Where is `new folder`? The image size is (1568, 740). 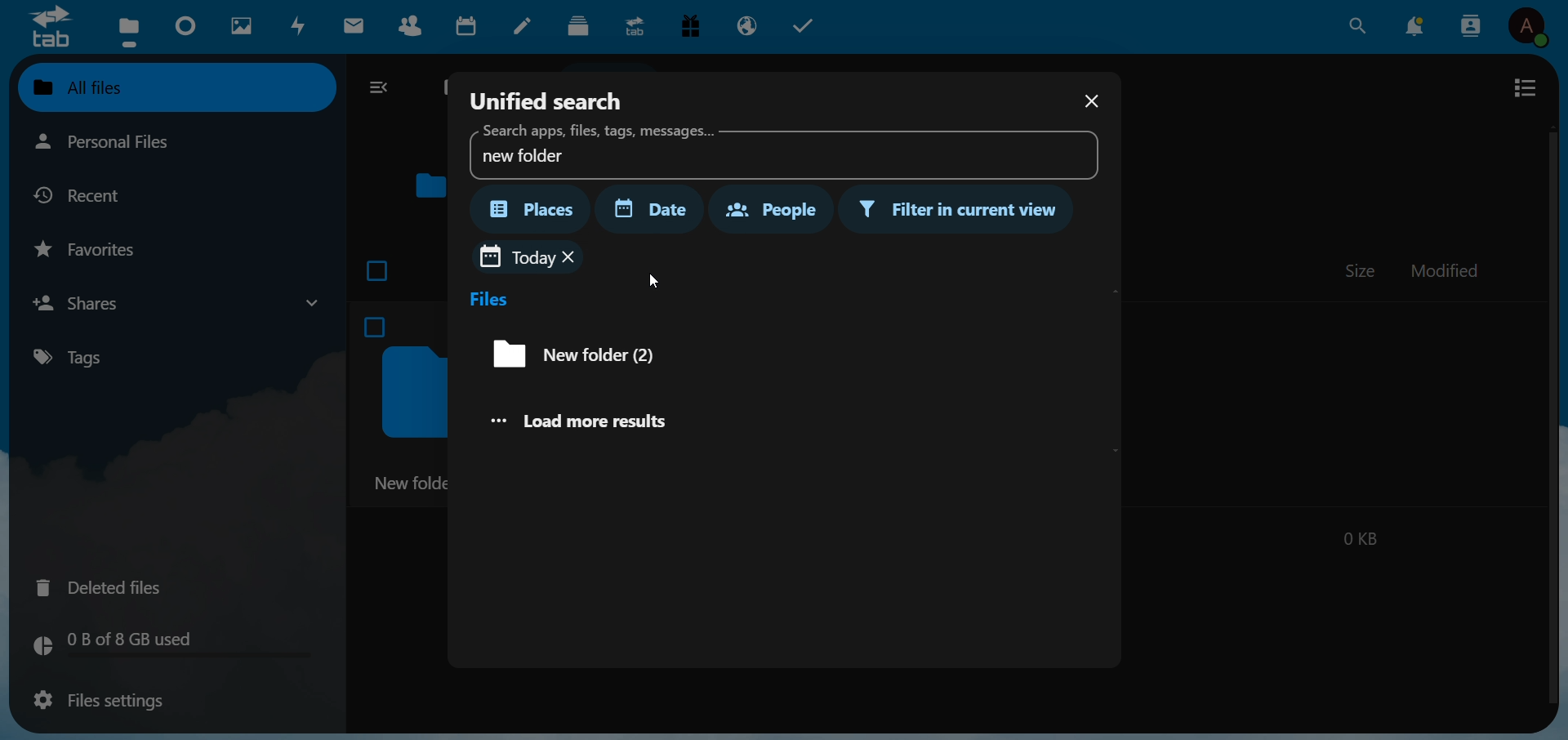
new folder is located at coordinates (411, 484).